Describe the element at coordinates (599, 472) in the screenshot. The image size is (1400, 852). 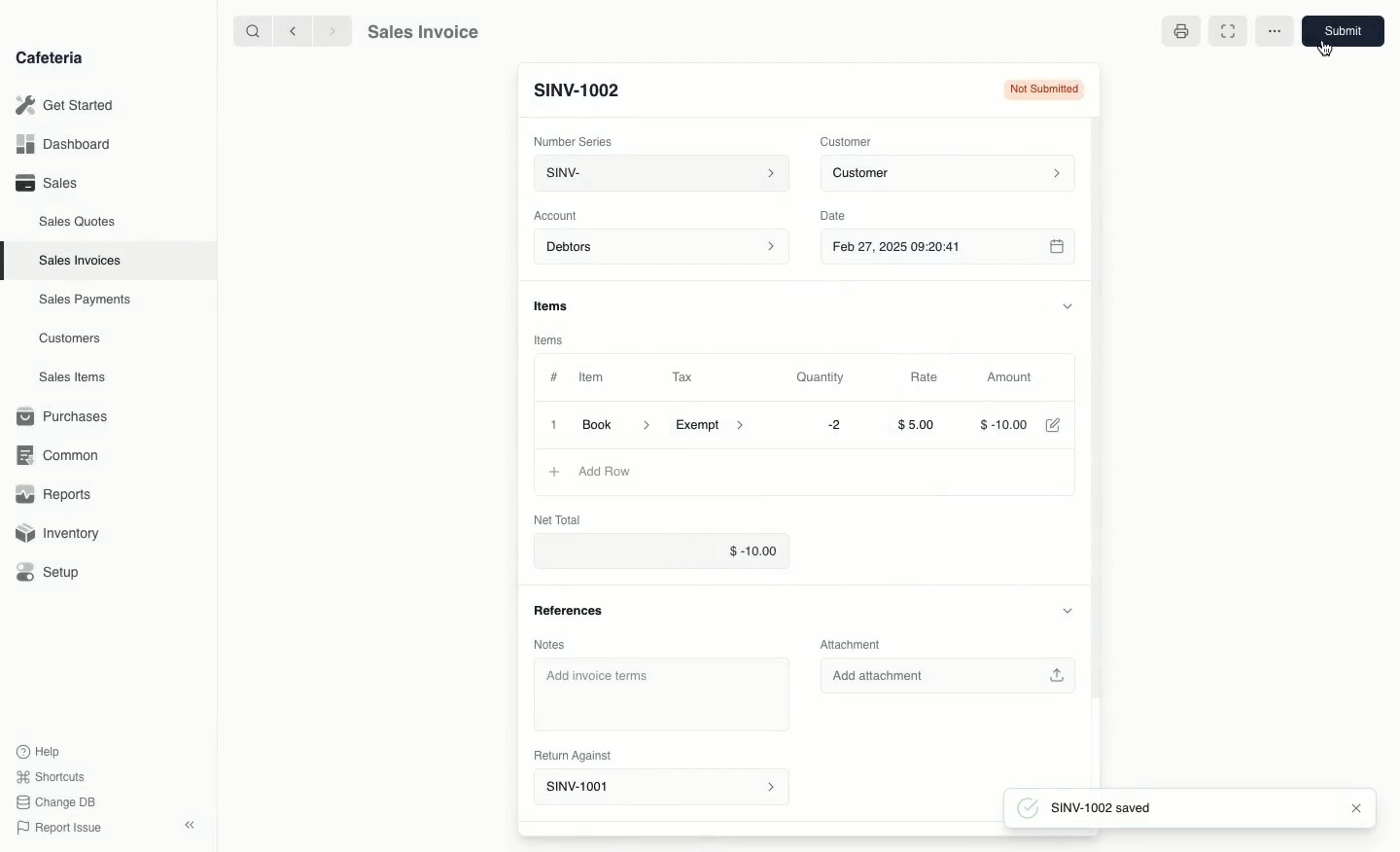
I see `Add Row` at that location.